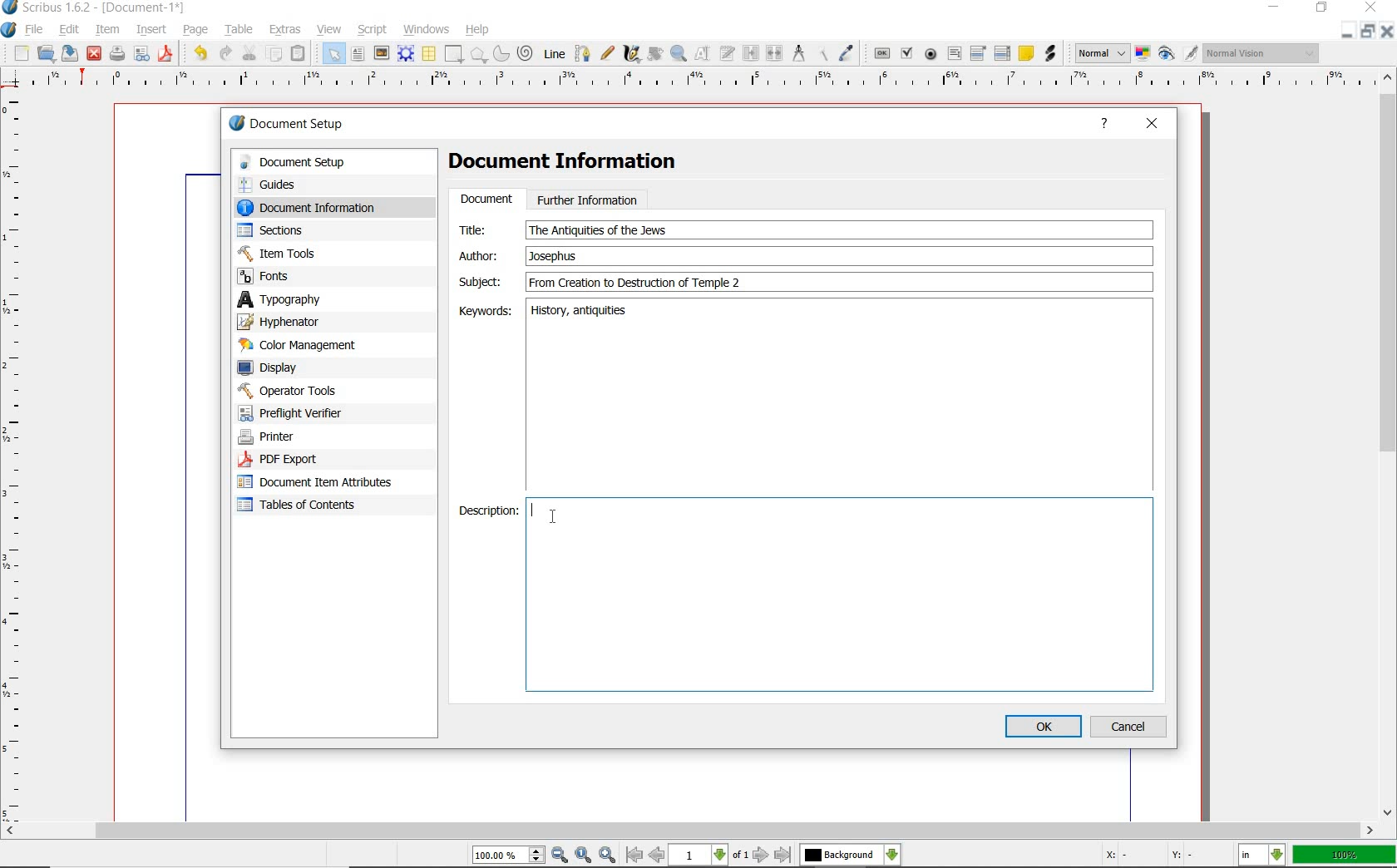 Image resolution: width=1397 pixels, height=868 pixels. Describe the element at coordinates (308, 459) in the screenshot. I see `PDF Export` at that location.